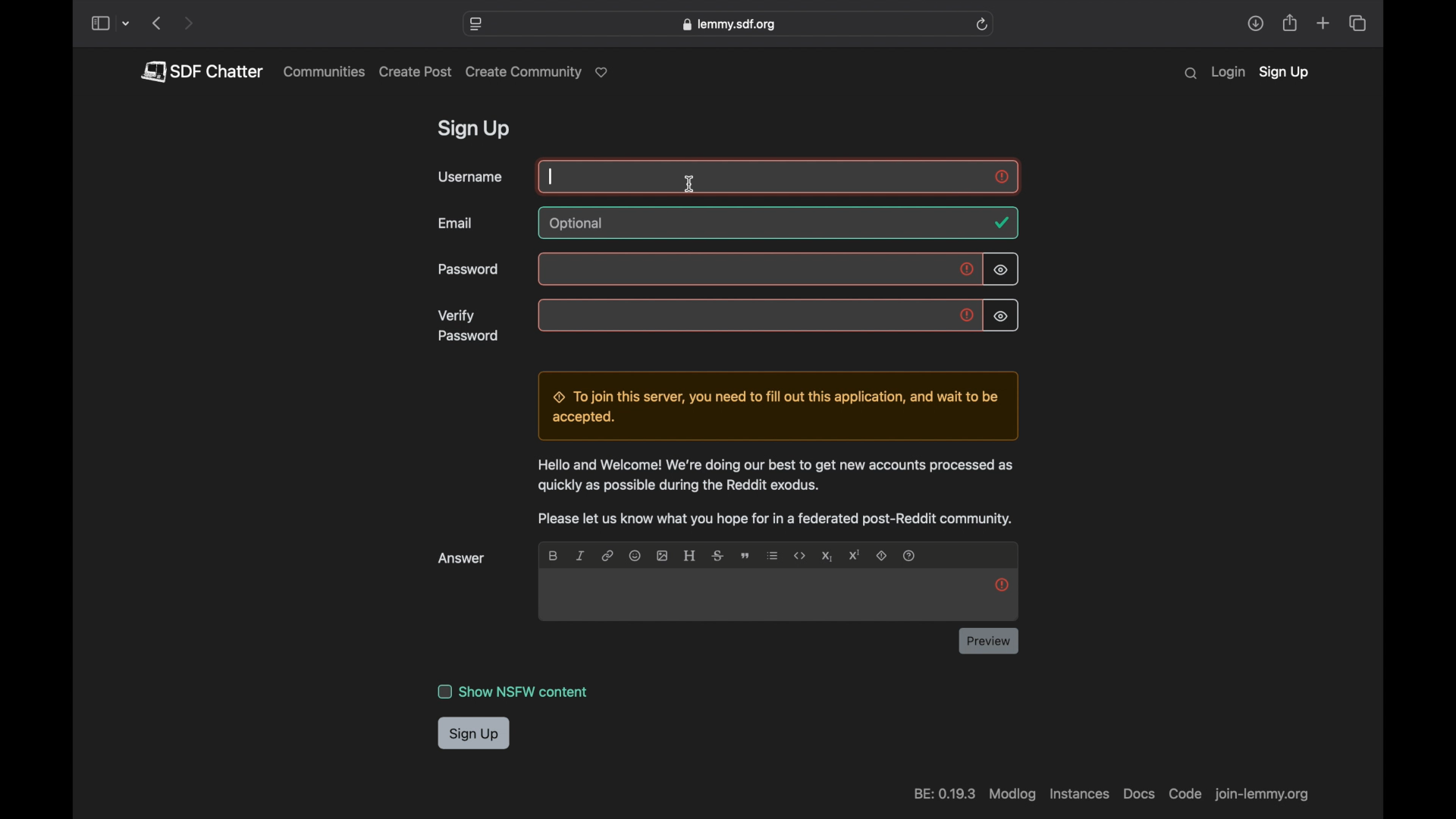 The width and height of the screenshot is (1456, 819). What do you see at coordinates (777, 492) in the screenshot?
I see `info` at bounding box center [777, 492].